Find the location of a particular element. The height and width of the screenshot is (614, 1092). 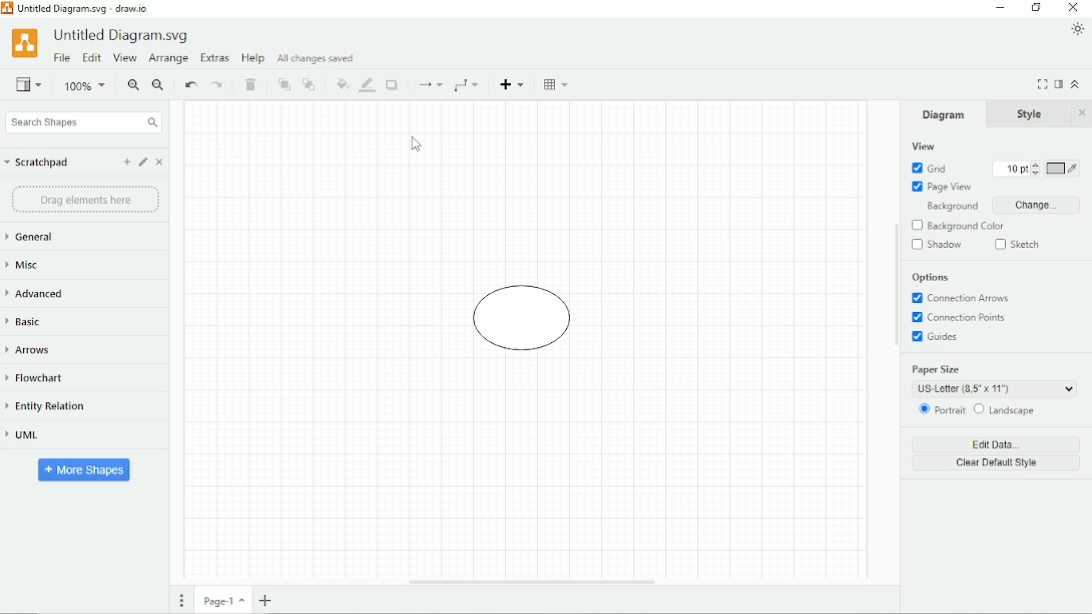

Clear Default Style is located at coordinates (996, 463).